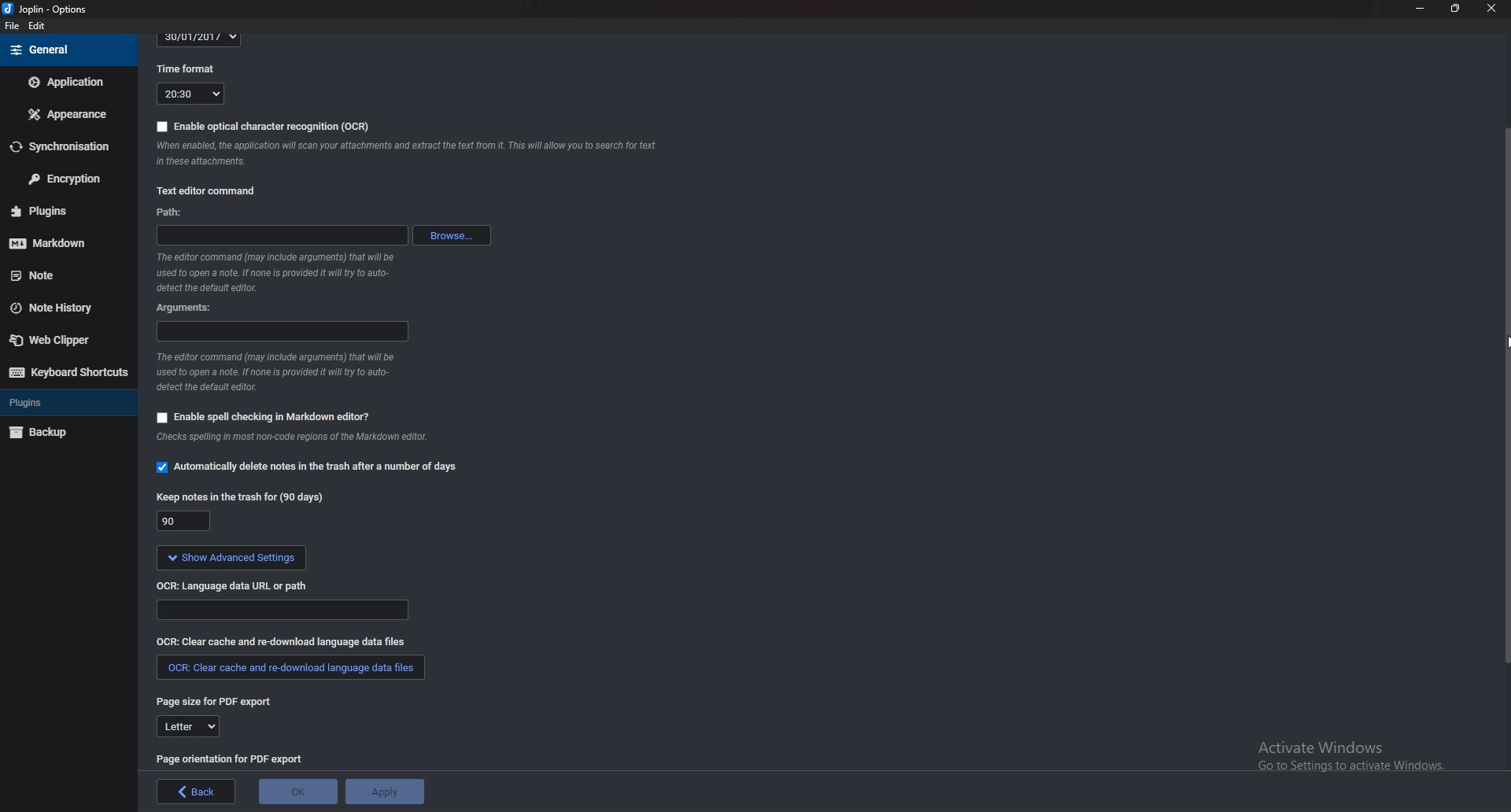 This screenshot has width=1511, height=812. I want to click on Info, so click(304, 439).